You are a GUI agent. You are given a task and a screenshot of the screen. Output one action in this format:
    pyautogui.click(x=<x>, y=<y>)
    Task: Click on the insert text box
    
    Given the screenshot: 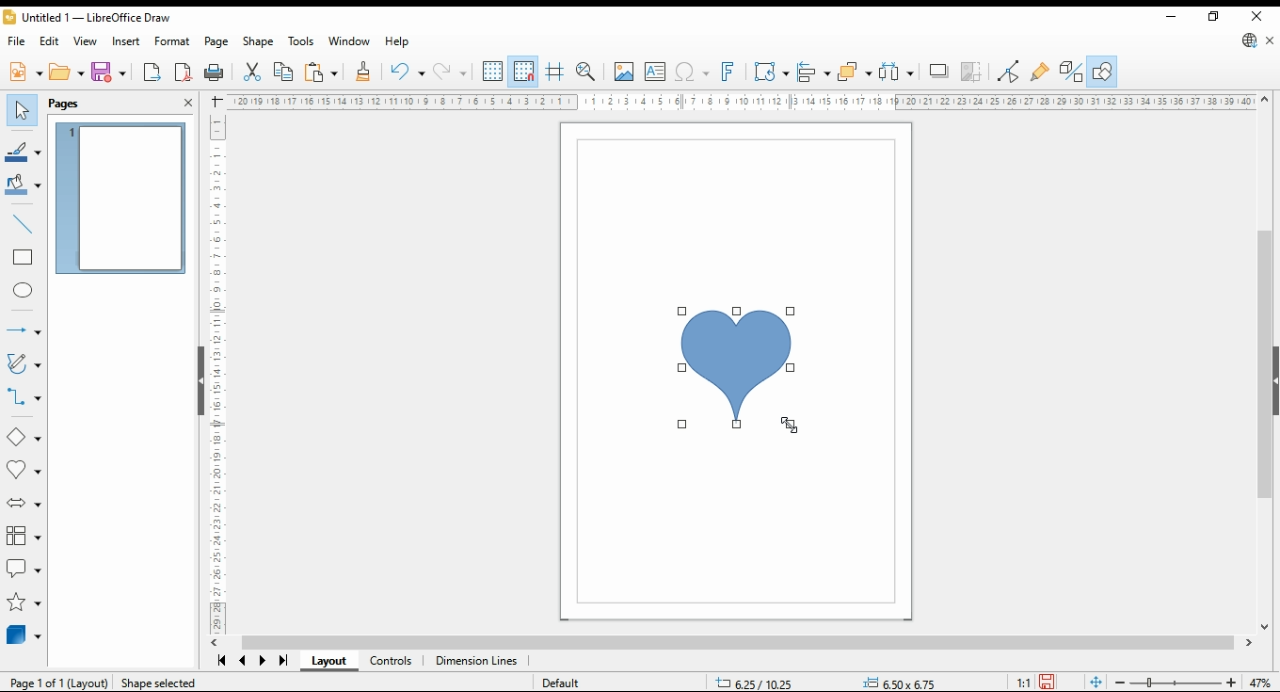 What is the action you would take?
    pyautogui.click(x=656, y=72)
    